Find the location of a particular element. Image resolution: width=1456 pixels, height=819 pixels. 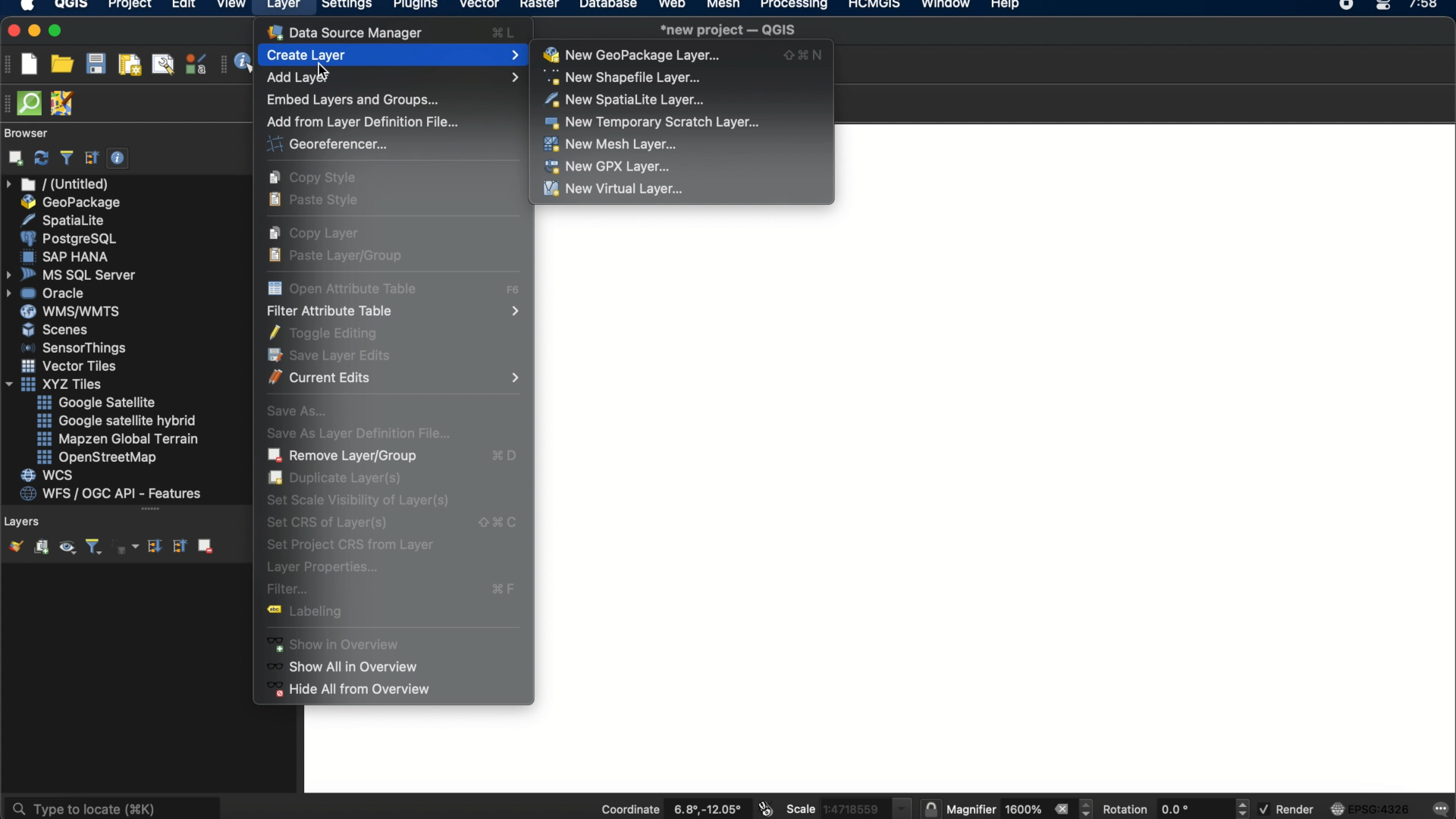

new spatiaLite layer is located at coordinates (626, 99).